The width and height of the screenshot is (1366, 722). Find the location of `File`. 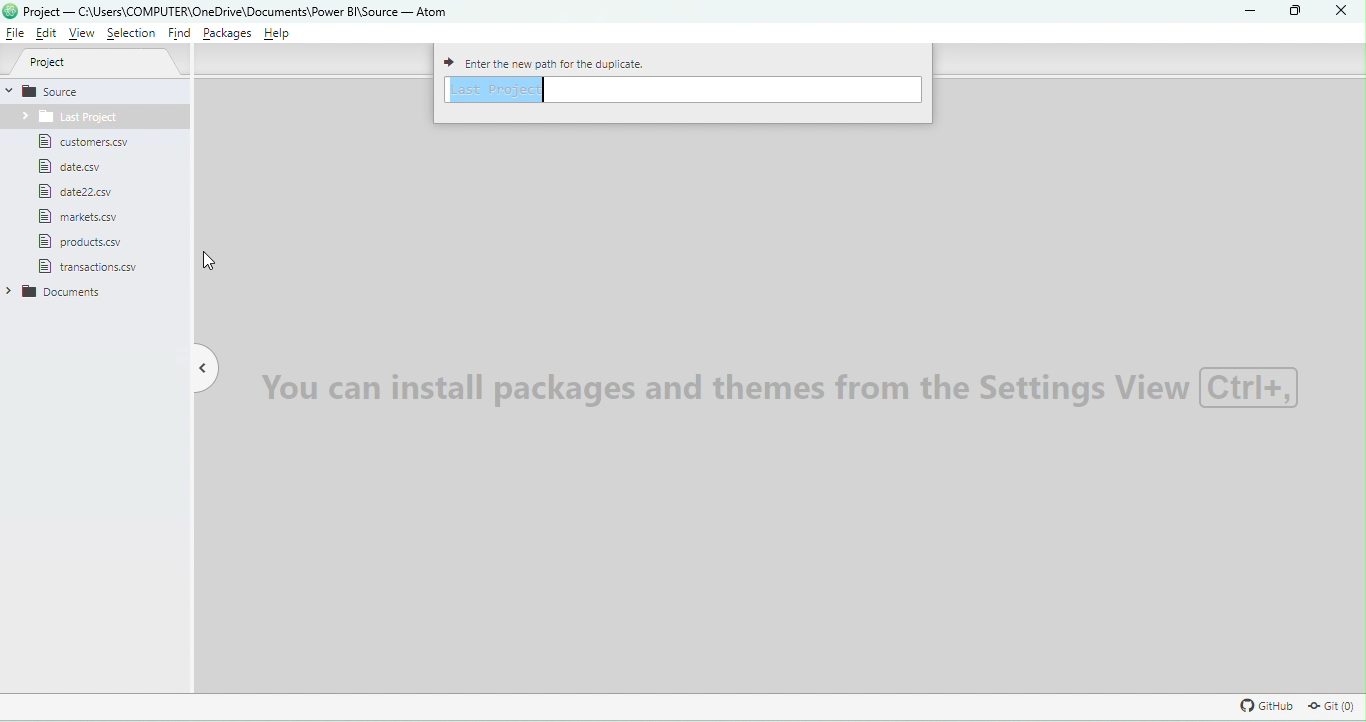

File is located at coordinates (74, 167).